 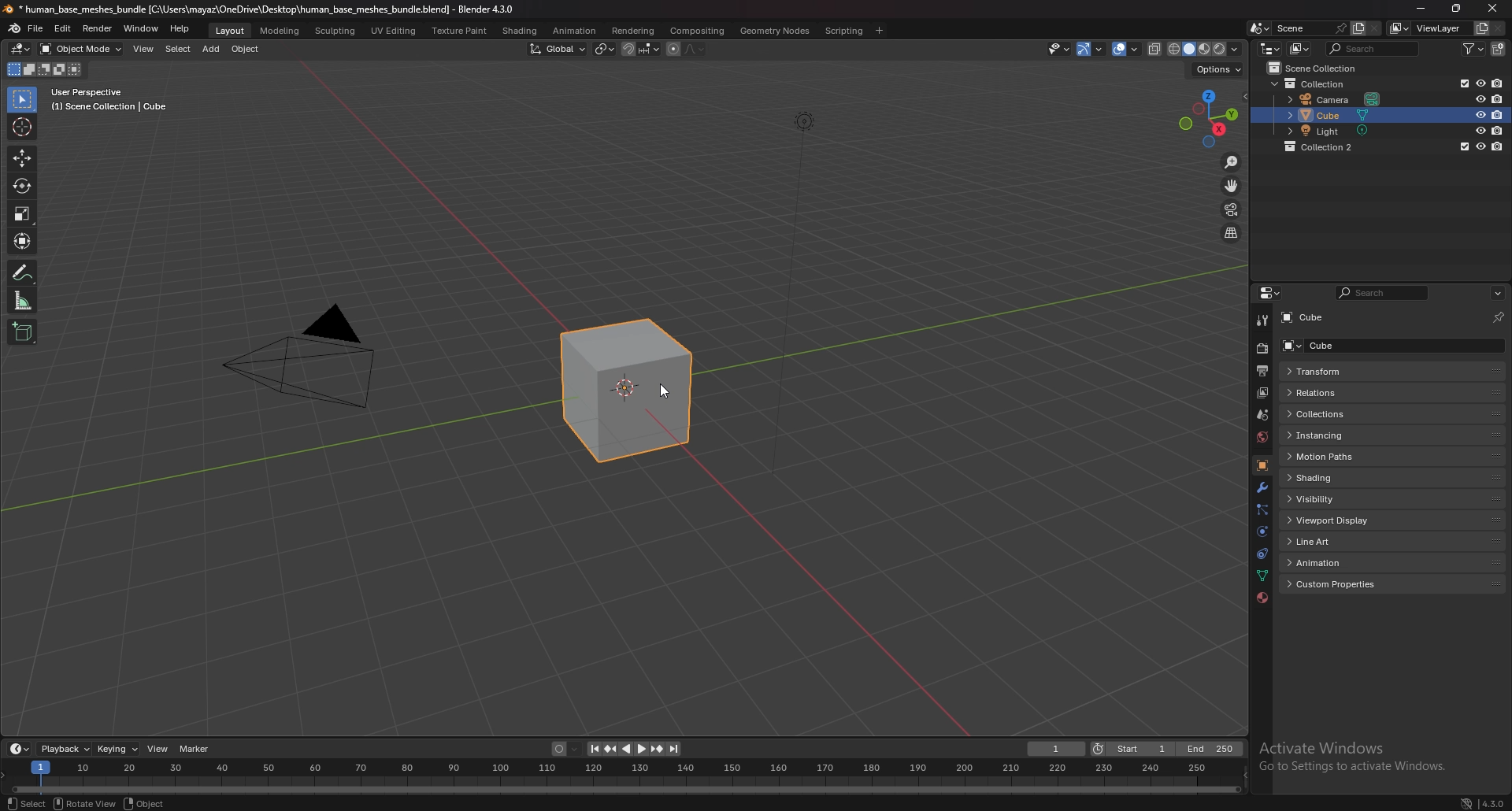 What do you see at coordinates (1499, 317) in the screenshot?
I see `toggle pin id` at bounding box center [1499, 317].